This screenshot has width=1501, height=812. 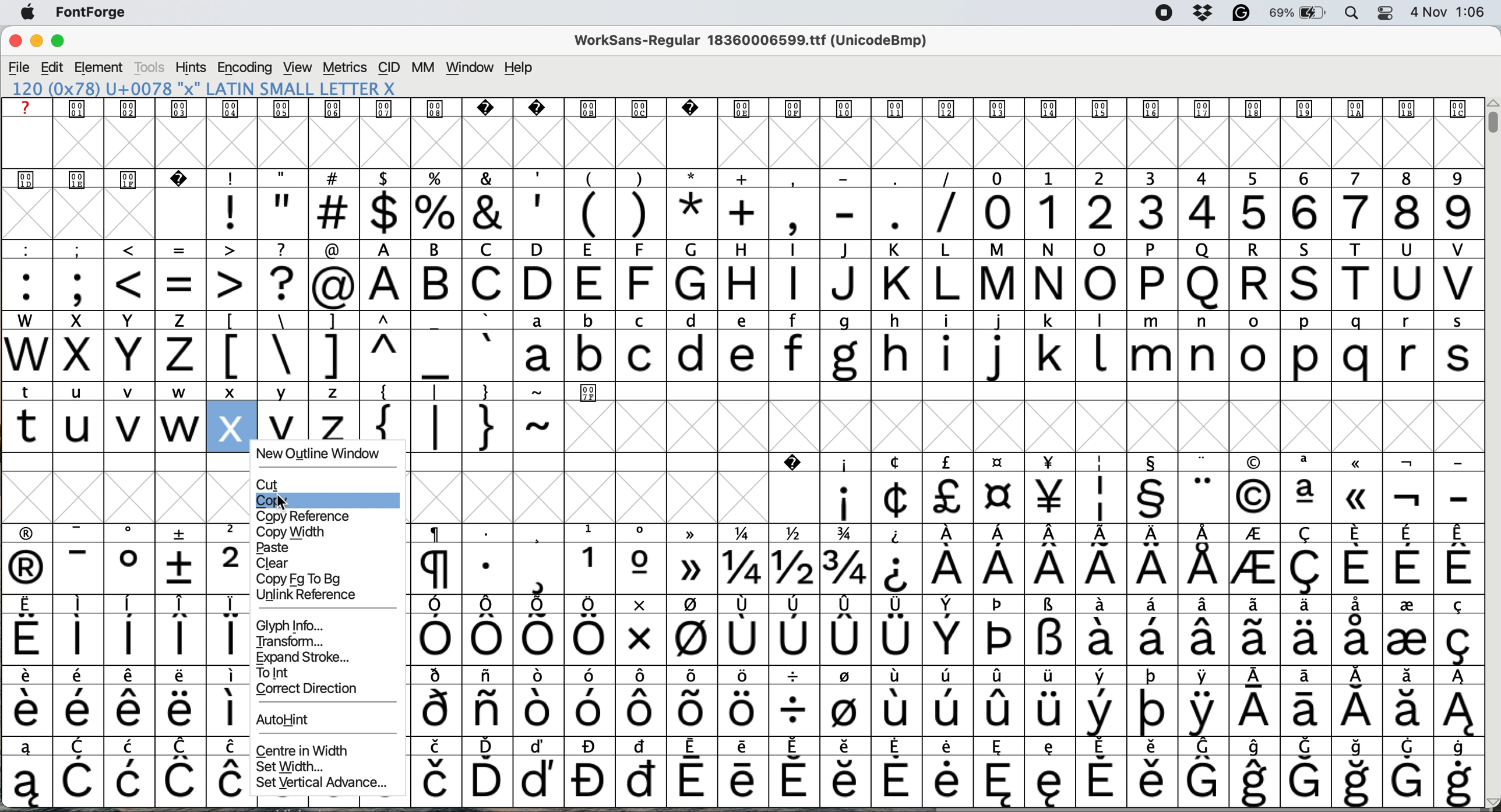 What do you see at coordinates (469, 68) in the screenshot?
I see `window` at bounding box center [469, 68].